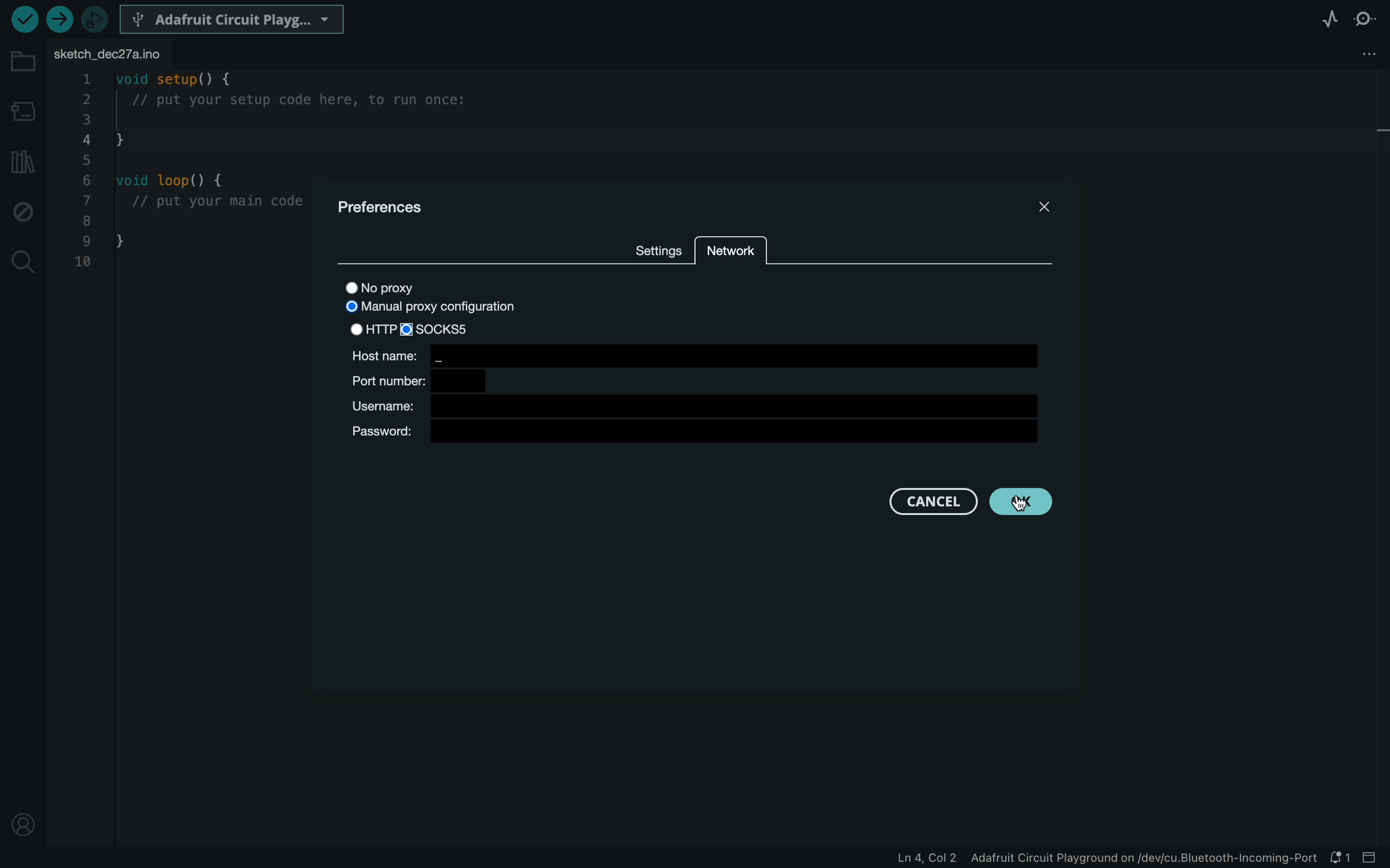 The height and width of the screenshot is (868, 1390). What do you see at coordinates (434, 308) in the screenshot?
I see `manual proxy` at bounding box center [434, 308].